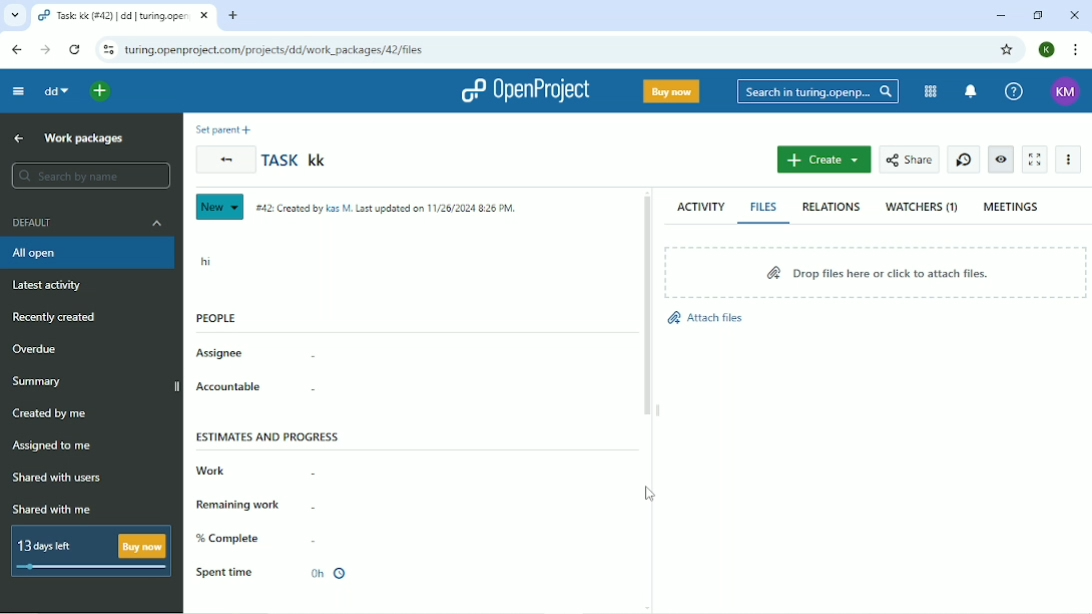  Describe the element at coordinates (698, 207) in the screenshot. I see `ACTIVITY` at that location.